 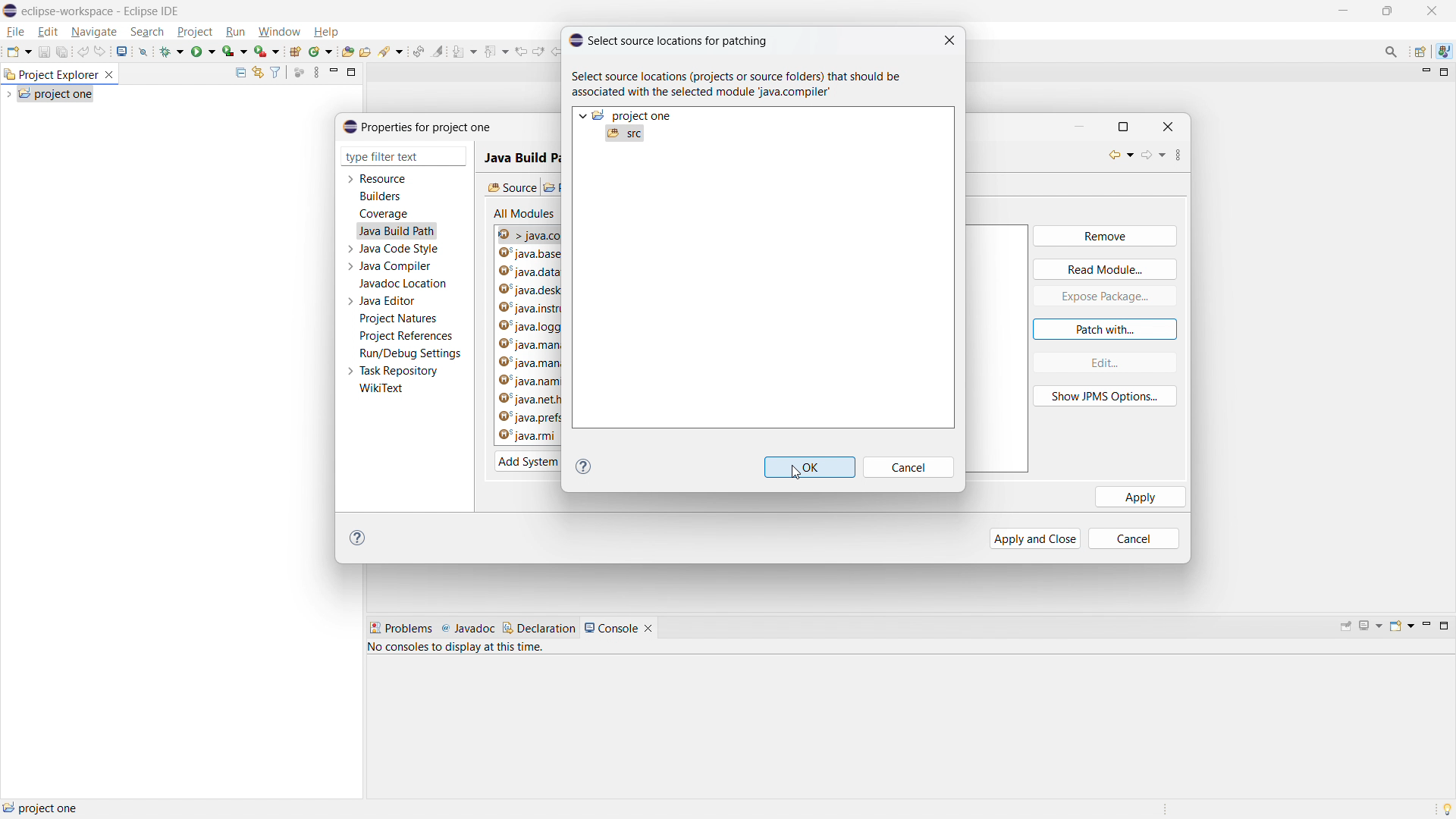 I want to click on maximize, so click(x=1444, y=626).